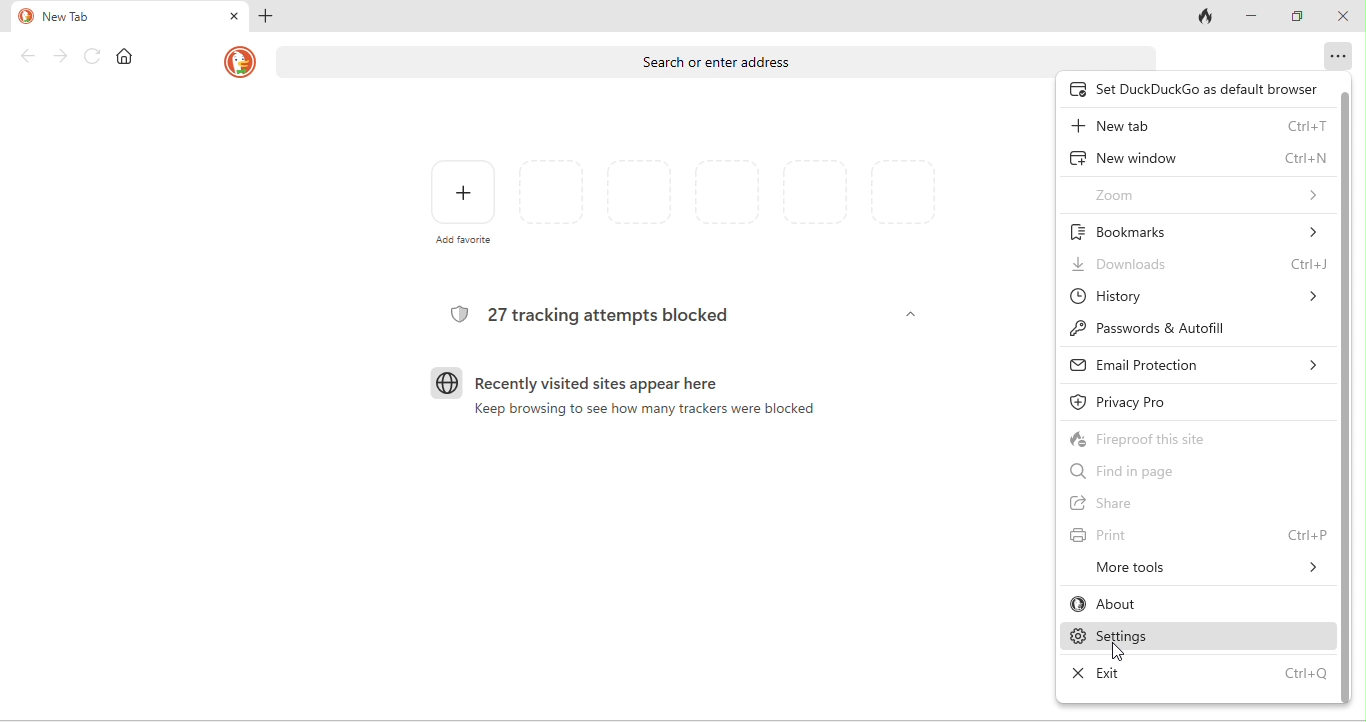 Image resolution: width=1366 pixels, height=722 pixels. I want to click on new tab, so click(98, 18).